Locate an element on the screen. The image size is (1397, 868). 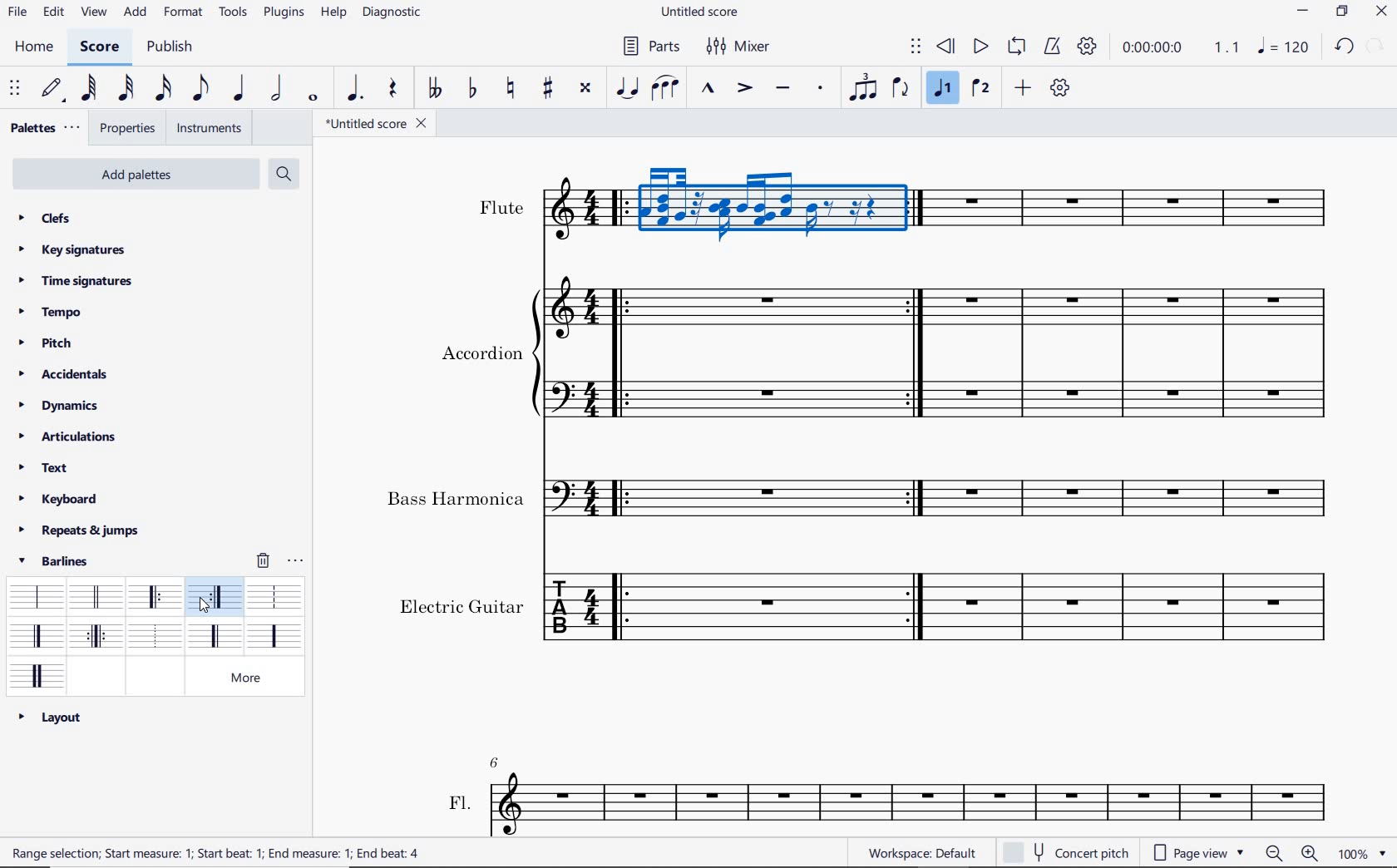
time signatures is located at coordinates (76, 282).